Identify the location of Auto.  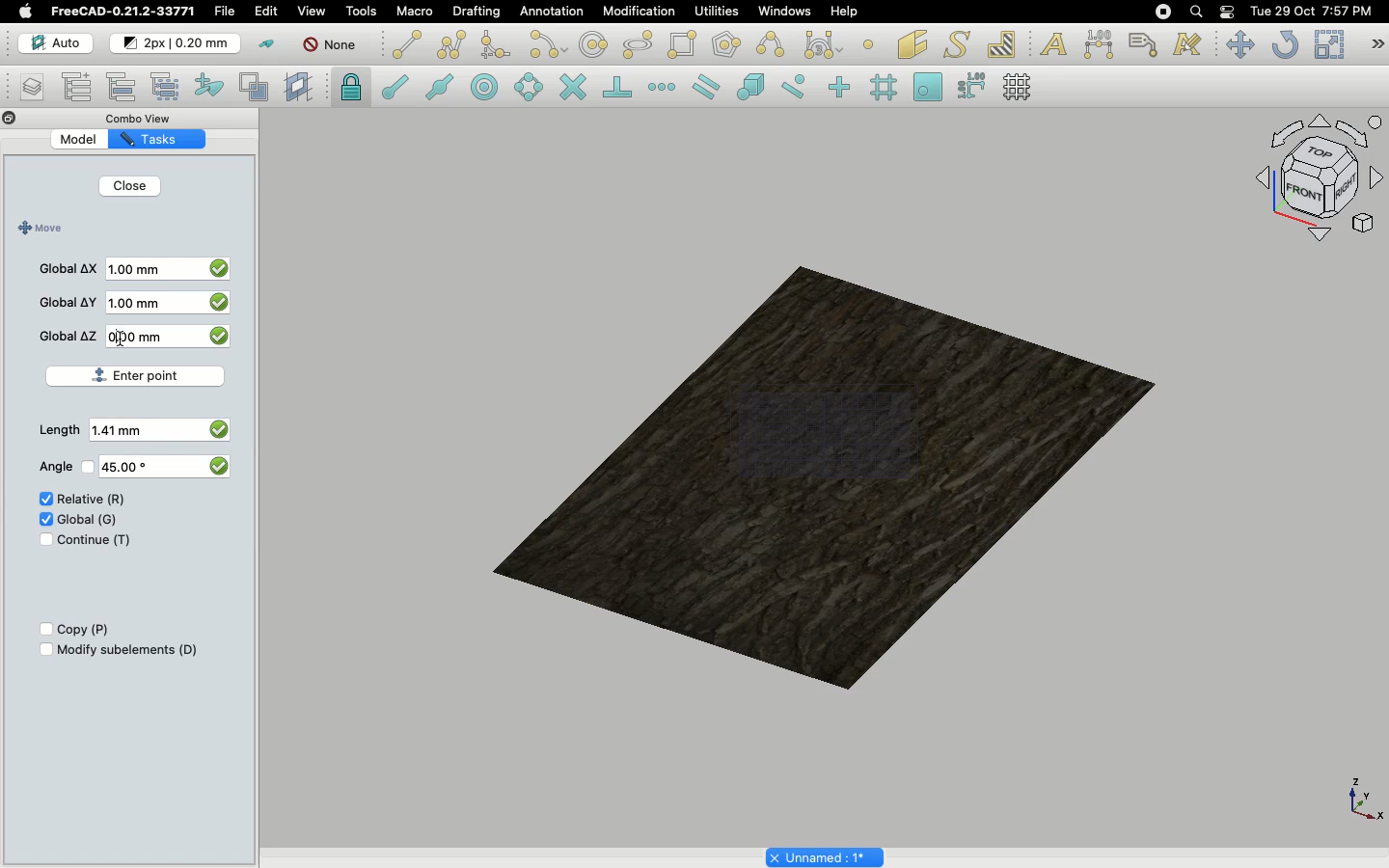
(57, 43).